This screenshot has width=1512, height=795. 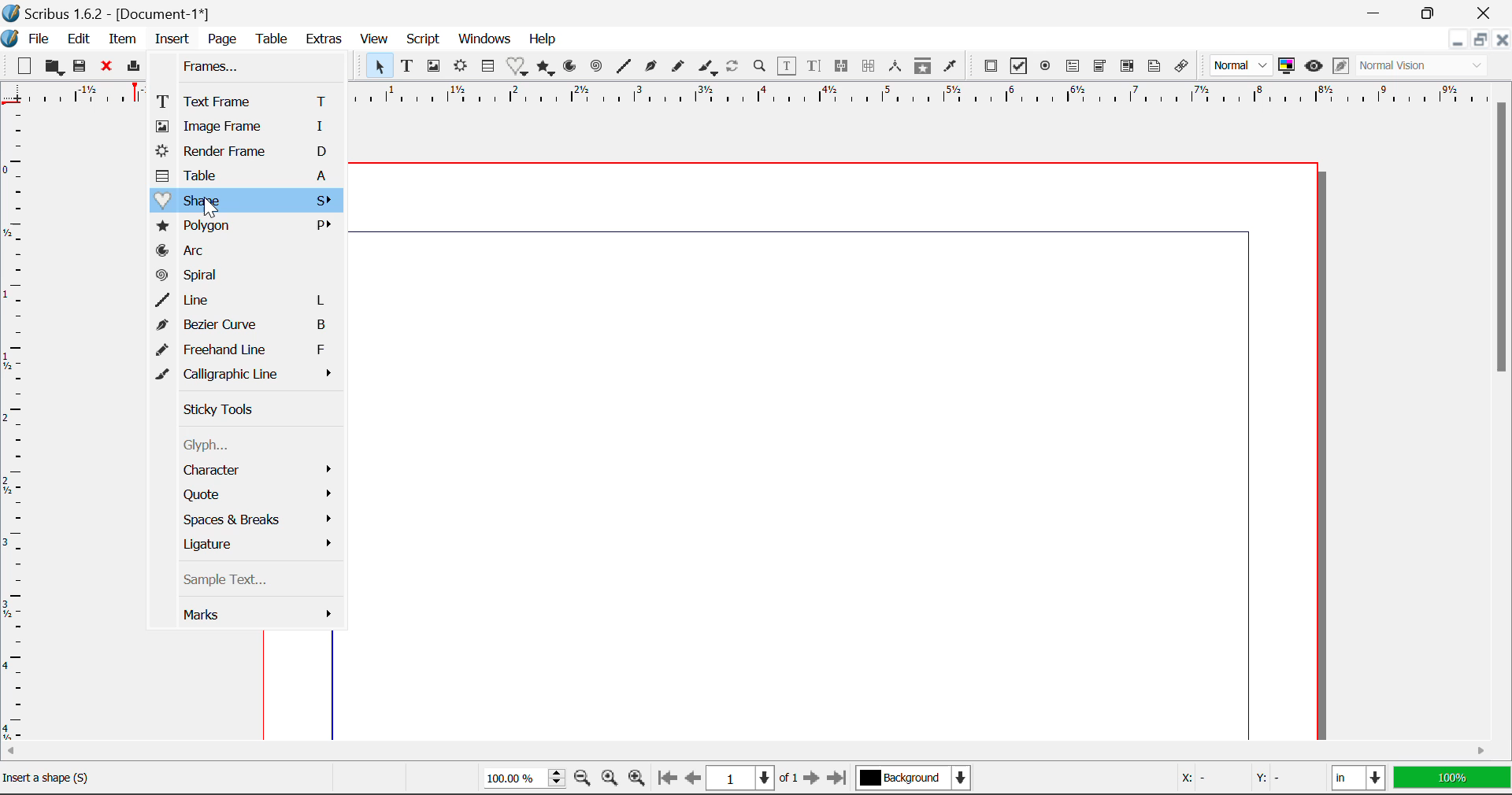 I want to click on Preview Mode, so click(x=1314, y=68).